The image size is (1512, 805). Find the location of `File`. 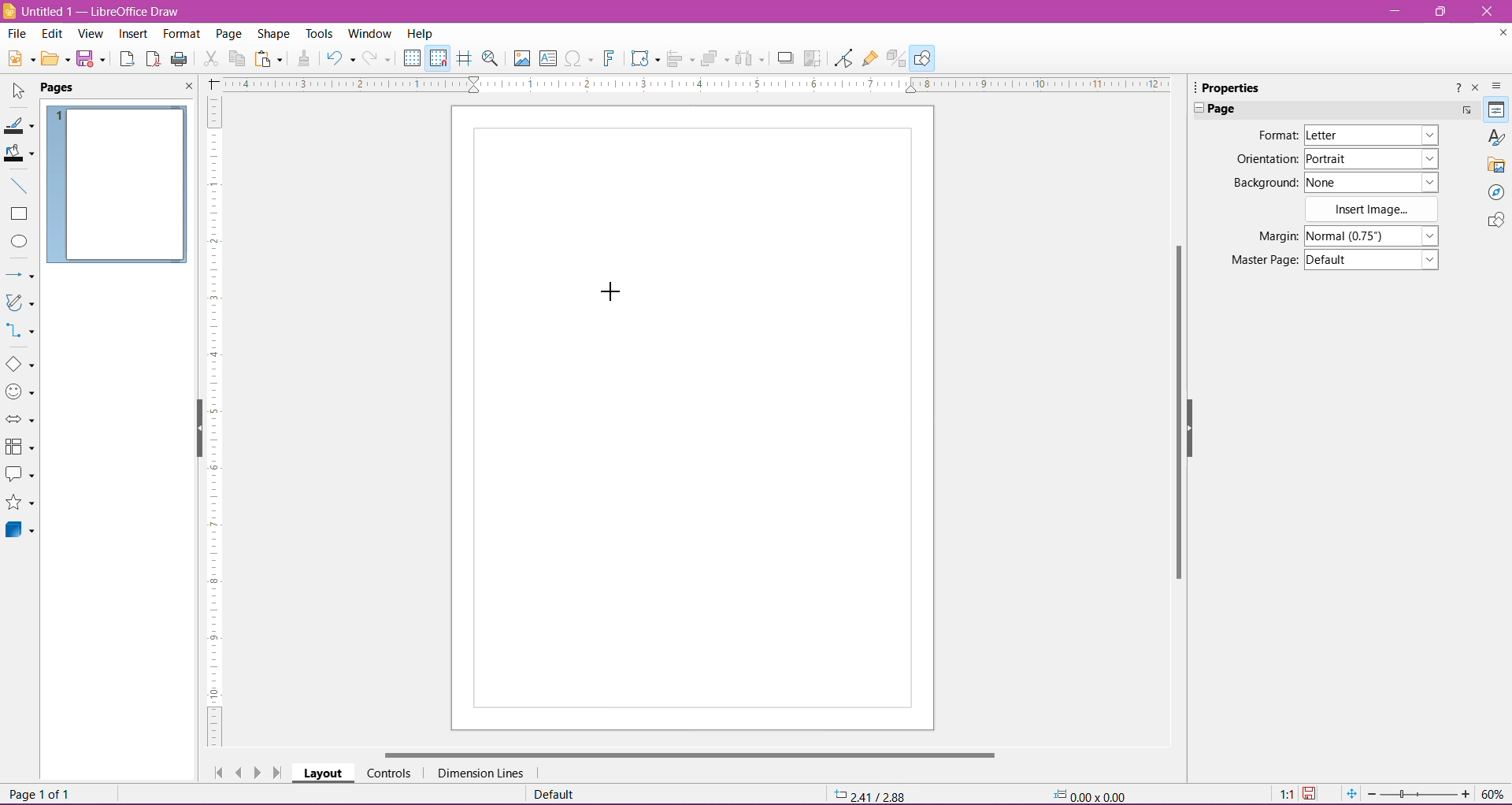

File is located at coordinates (17, 33).